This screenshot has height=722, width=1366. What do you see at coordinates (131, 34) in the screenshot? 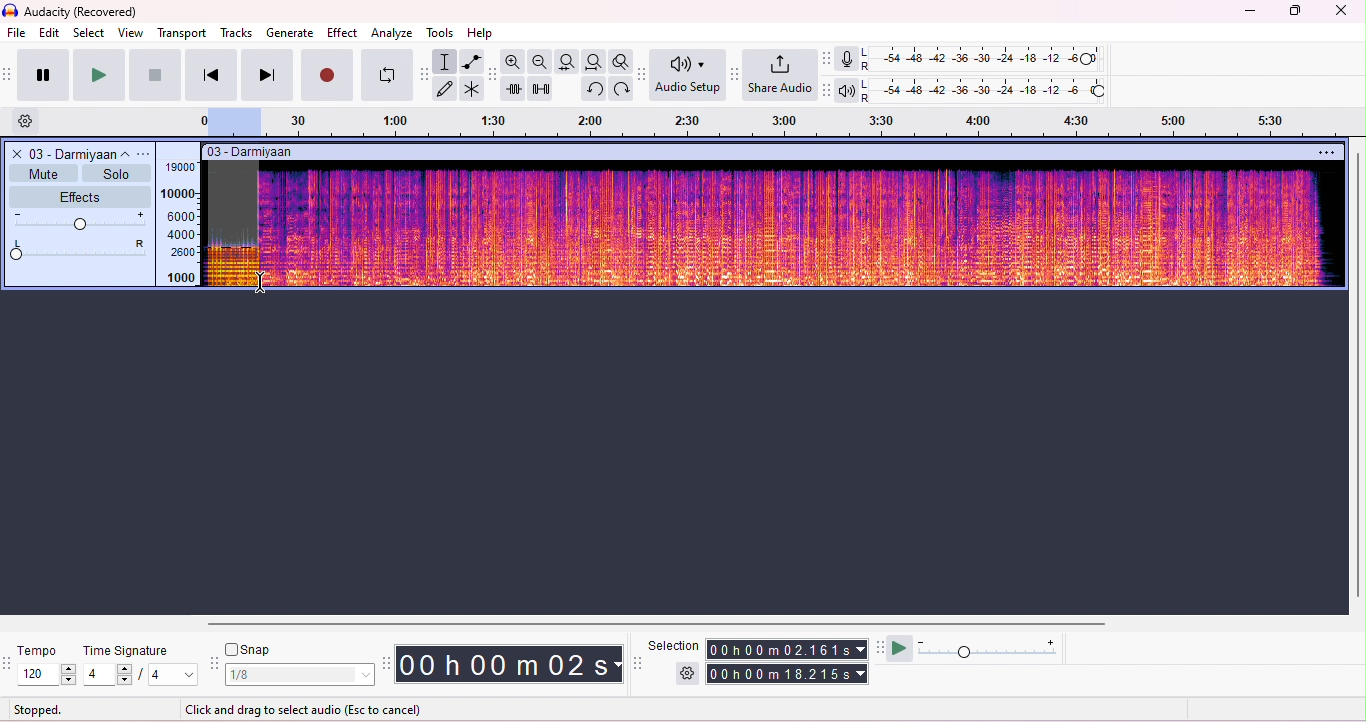
I see `view` at bounding box center [131, 34].